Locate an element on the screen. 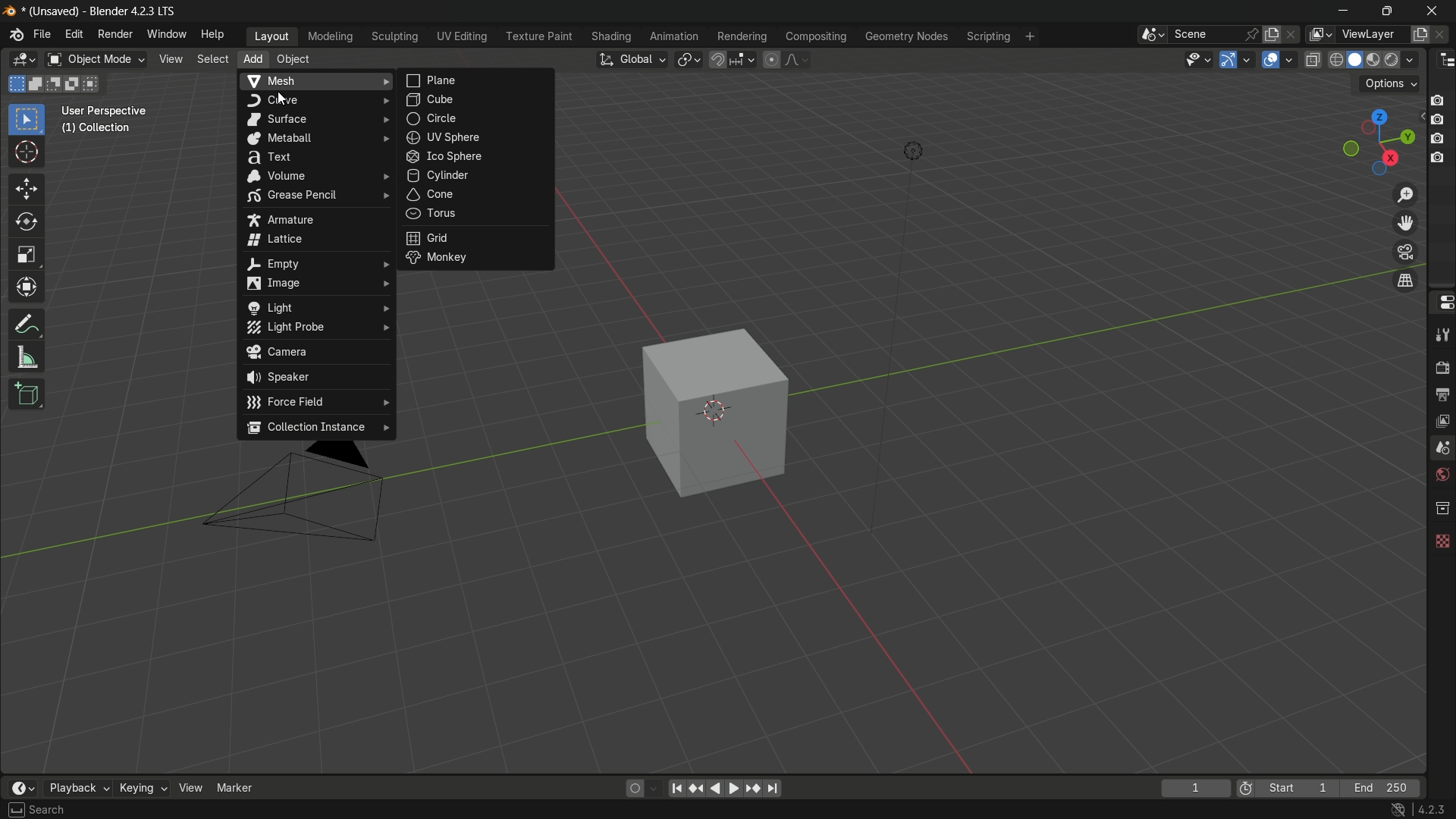 The height and width of the screenshot is (819, 1456). annotate is located at coordinates (27, 325).